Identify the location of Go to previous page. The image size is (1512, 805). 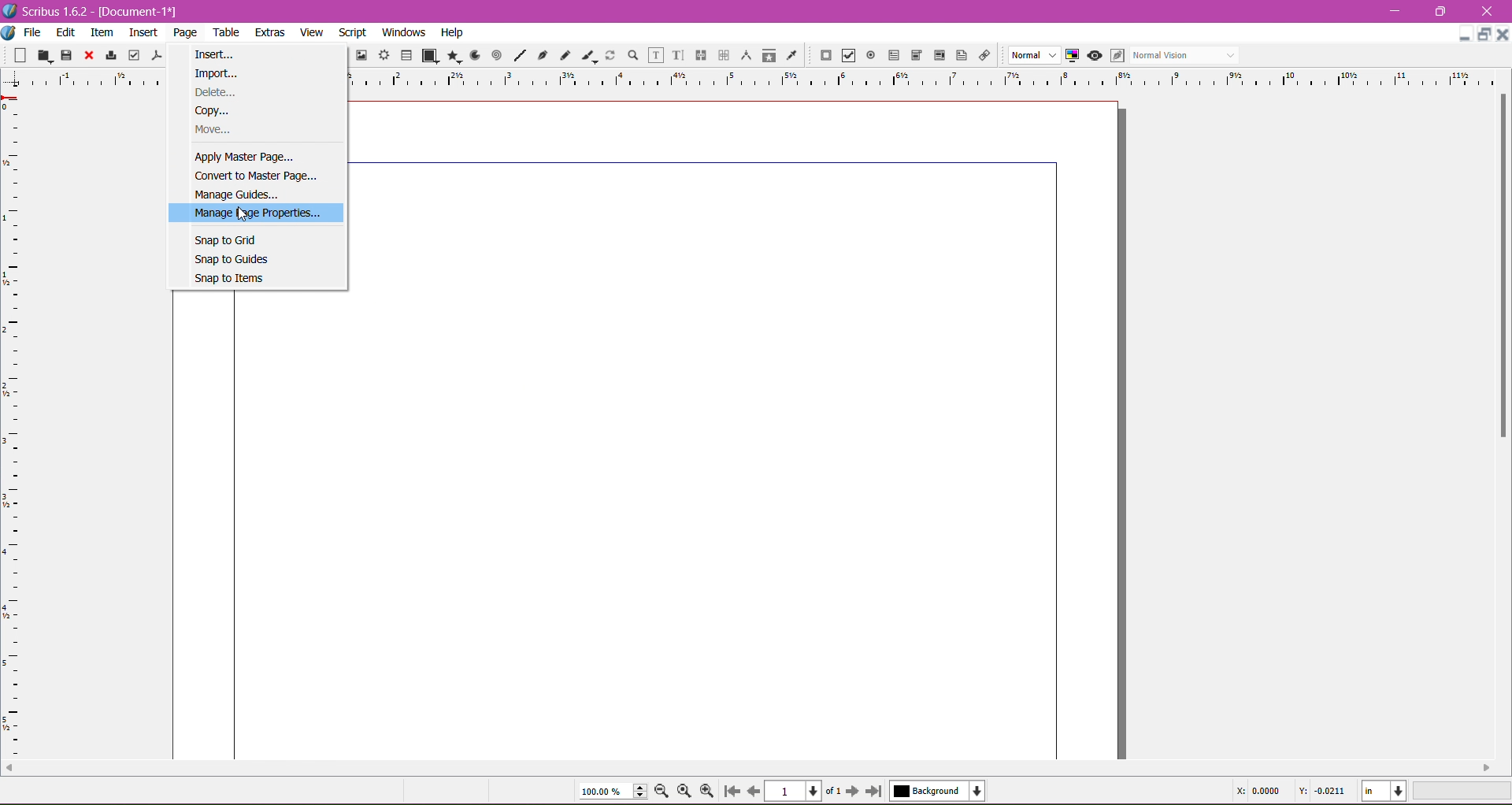
(754, 791).